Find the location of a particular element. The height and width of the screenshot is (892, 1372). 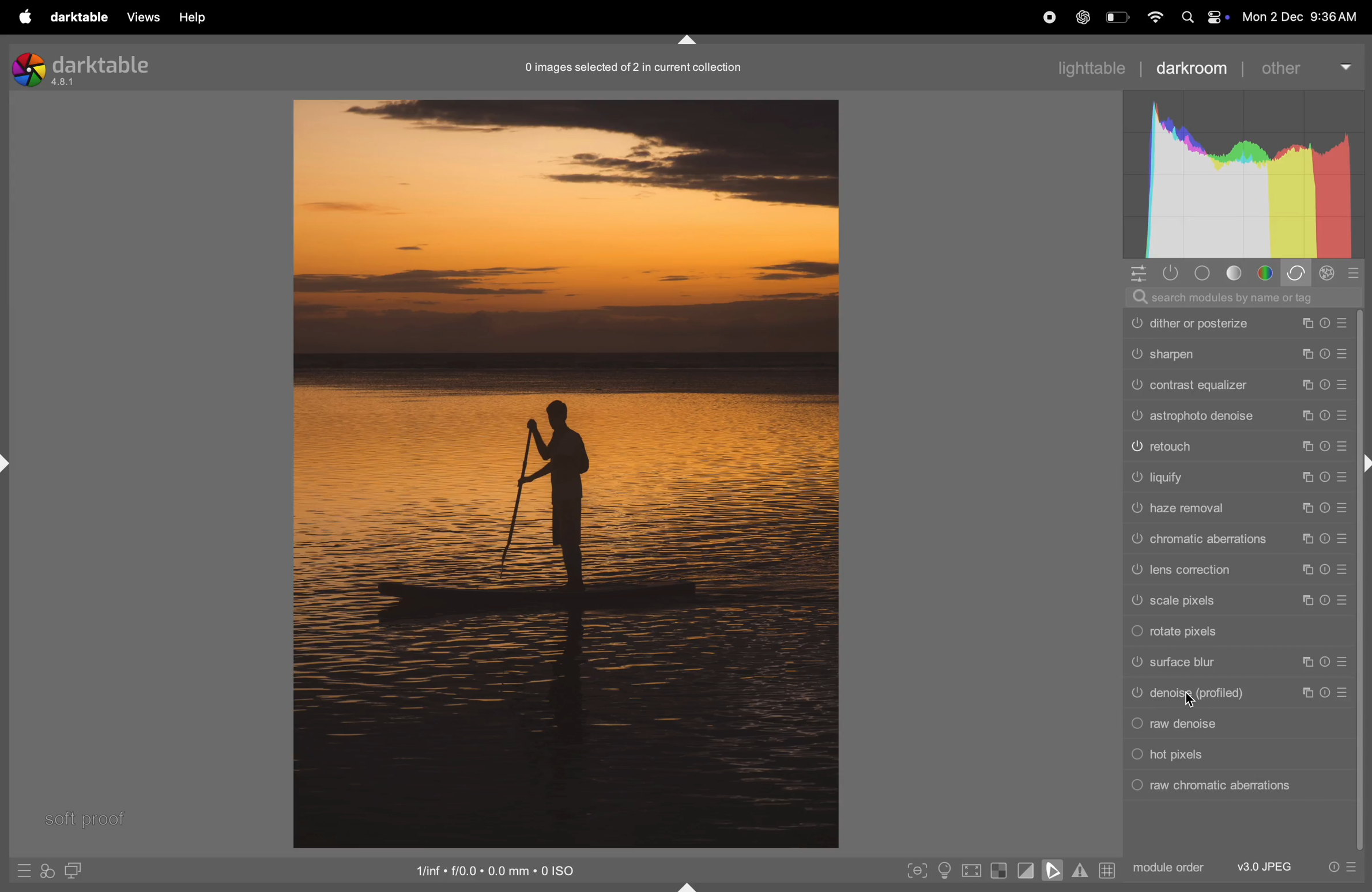

search is located at coordinates (1245, 298).